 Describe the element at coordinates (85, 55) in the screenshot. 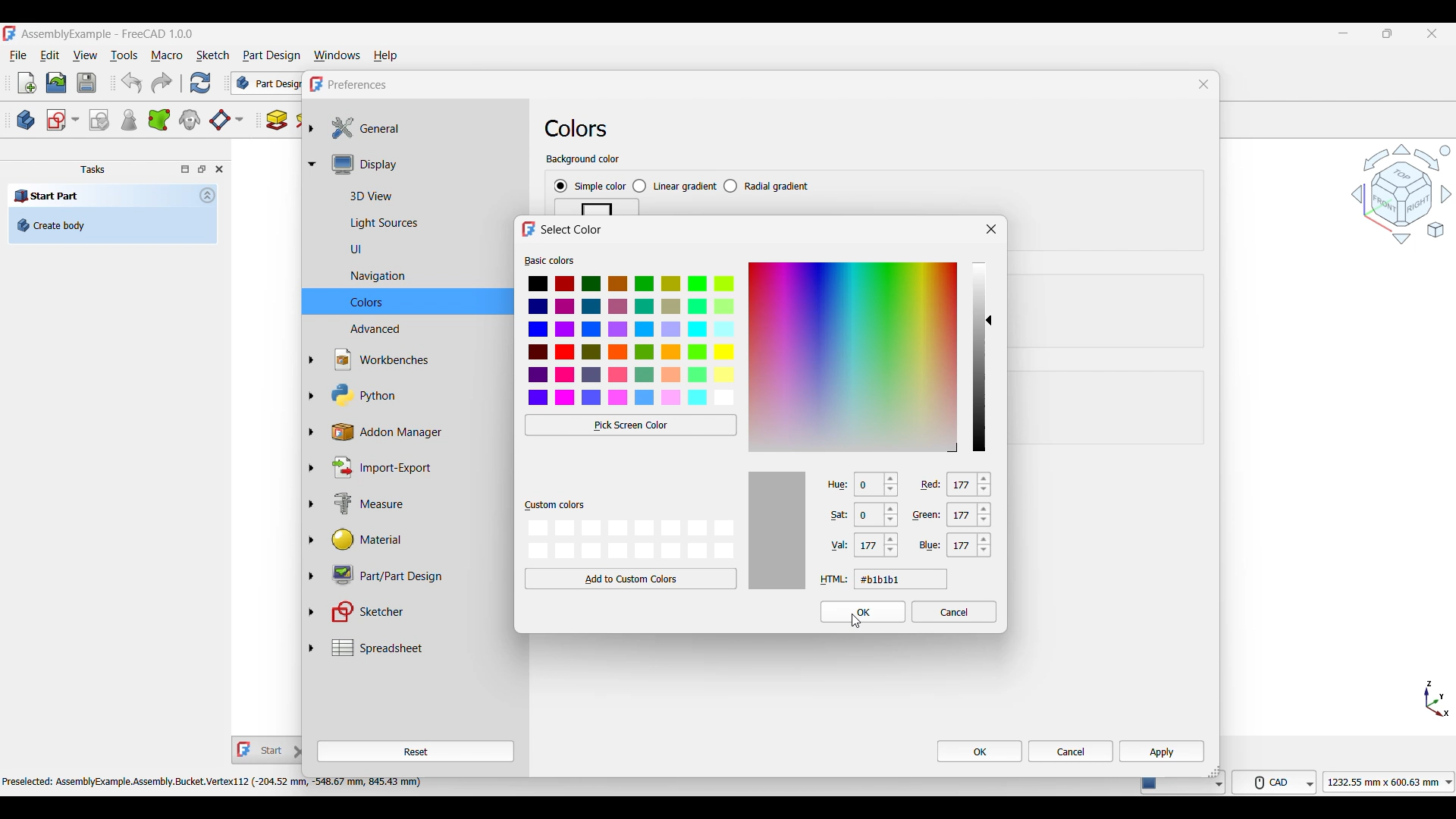

I see `View menu` at that location.